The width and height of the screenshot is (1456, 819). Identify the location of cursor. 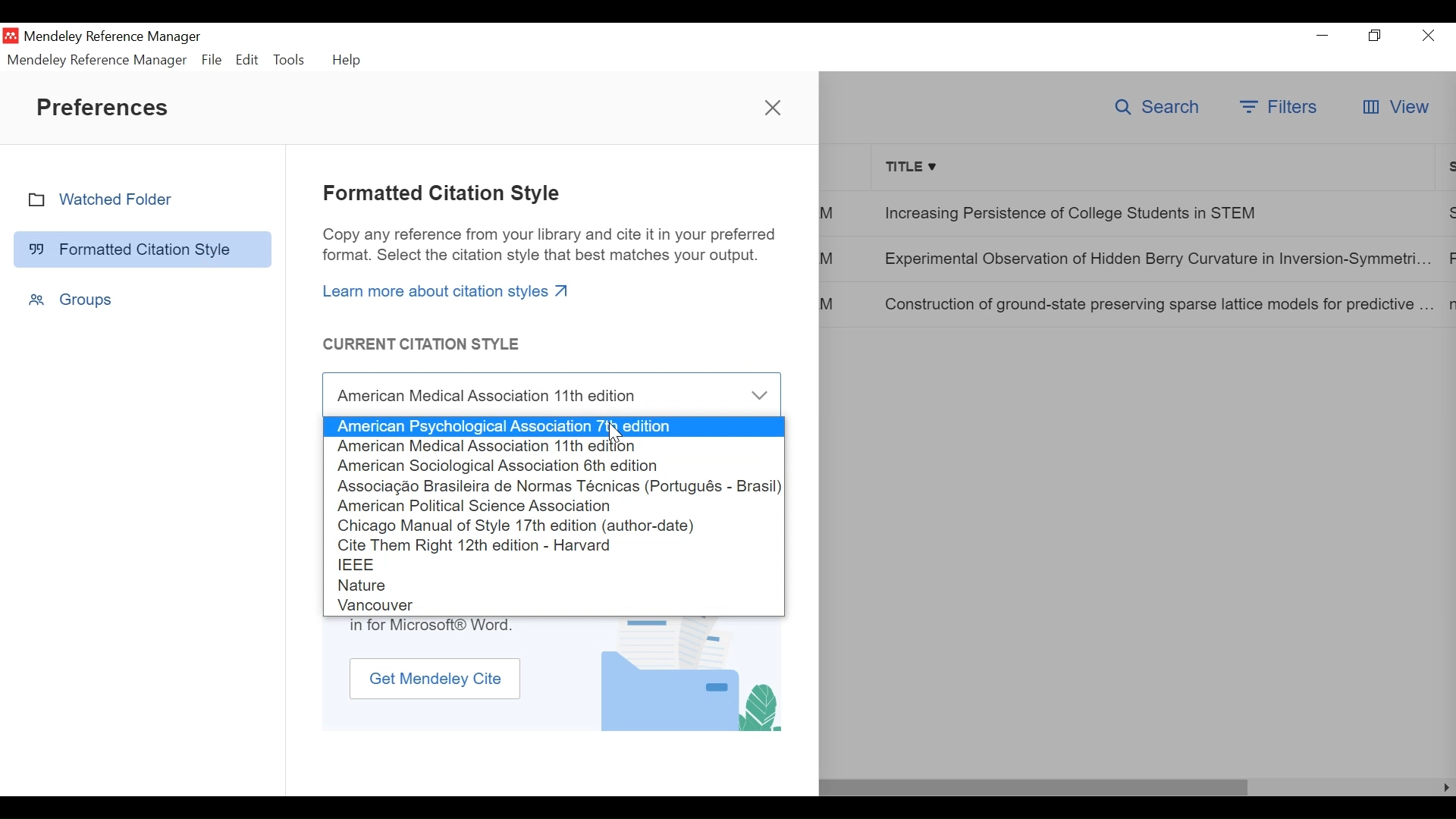
(618, 434).